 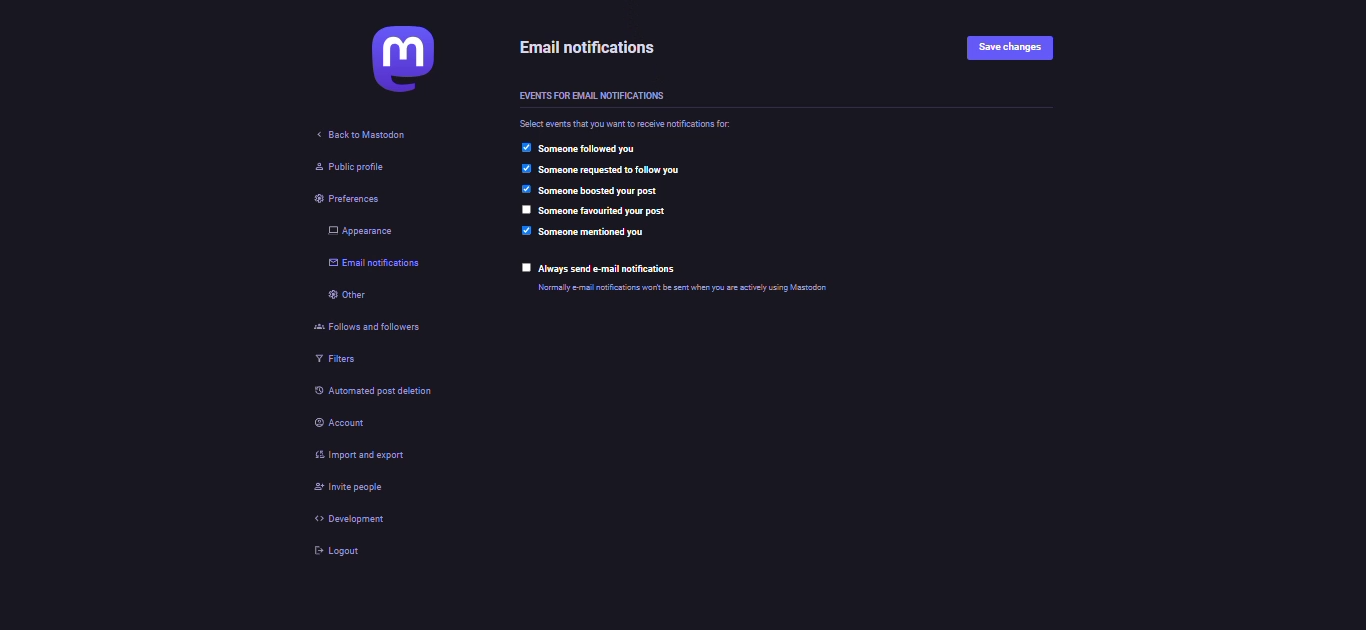 I want to click on filters, so click(x=326, y=361).